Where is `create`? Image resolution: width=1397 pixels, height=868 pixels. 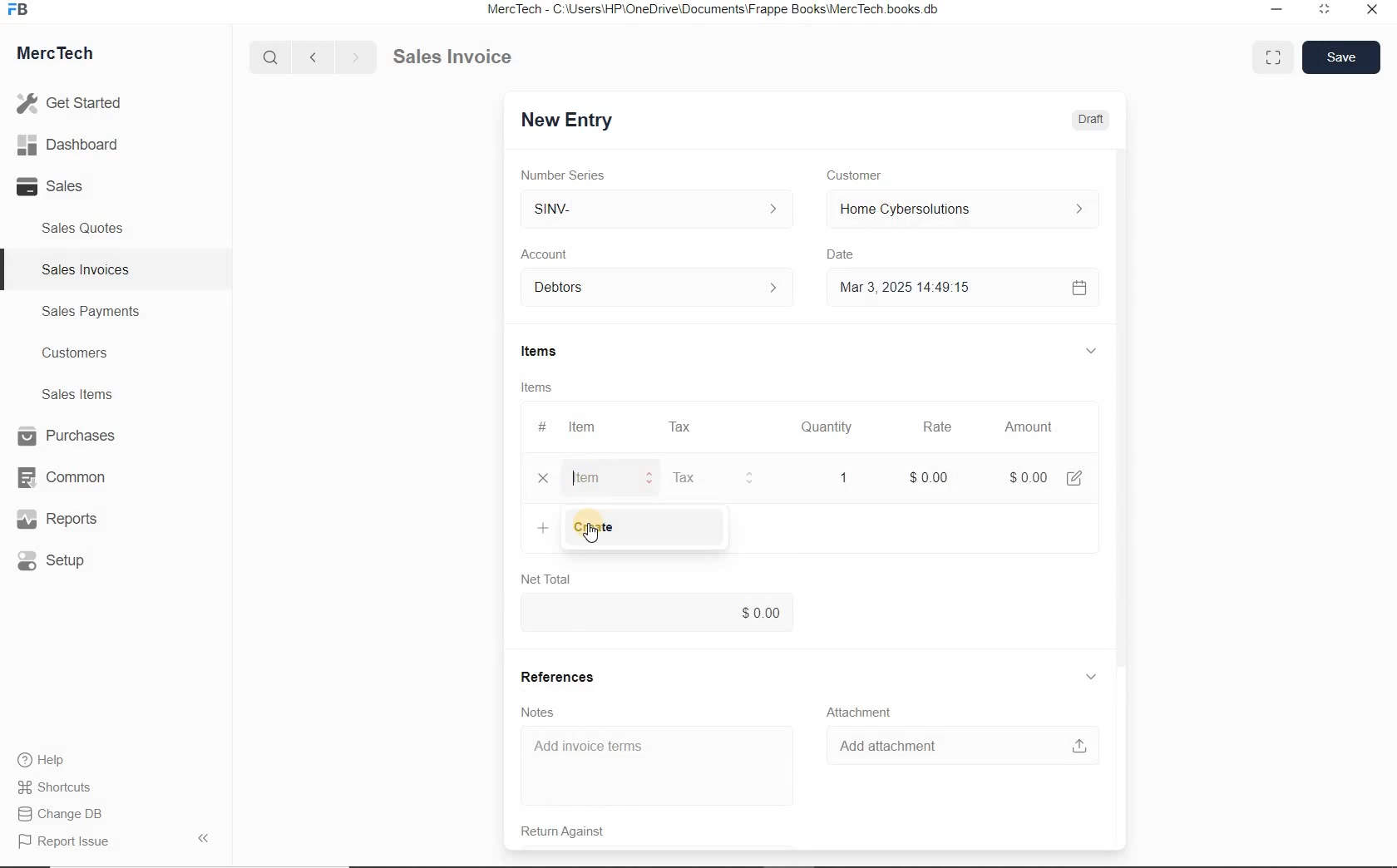
create is located at coordinates (641, 528).